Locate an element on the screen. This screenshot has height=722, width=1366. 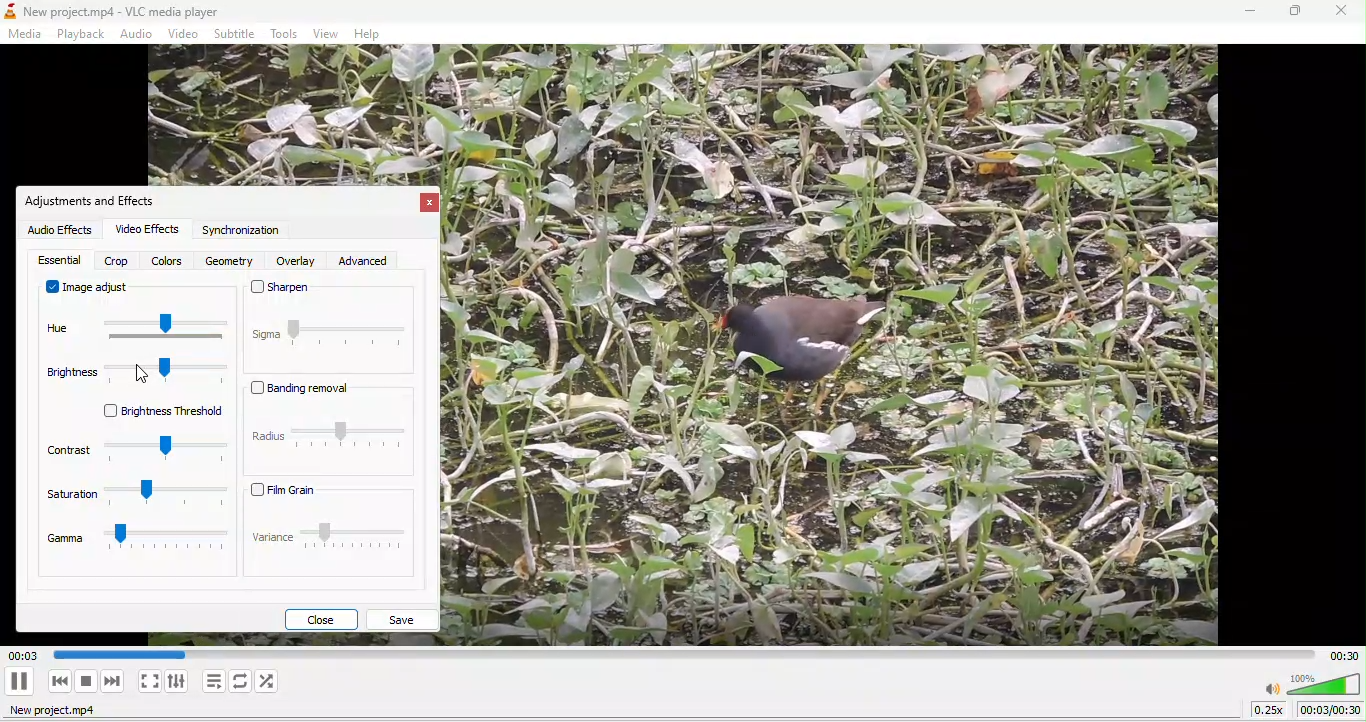
radius is located at coordinates (328, 439).